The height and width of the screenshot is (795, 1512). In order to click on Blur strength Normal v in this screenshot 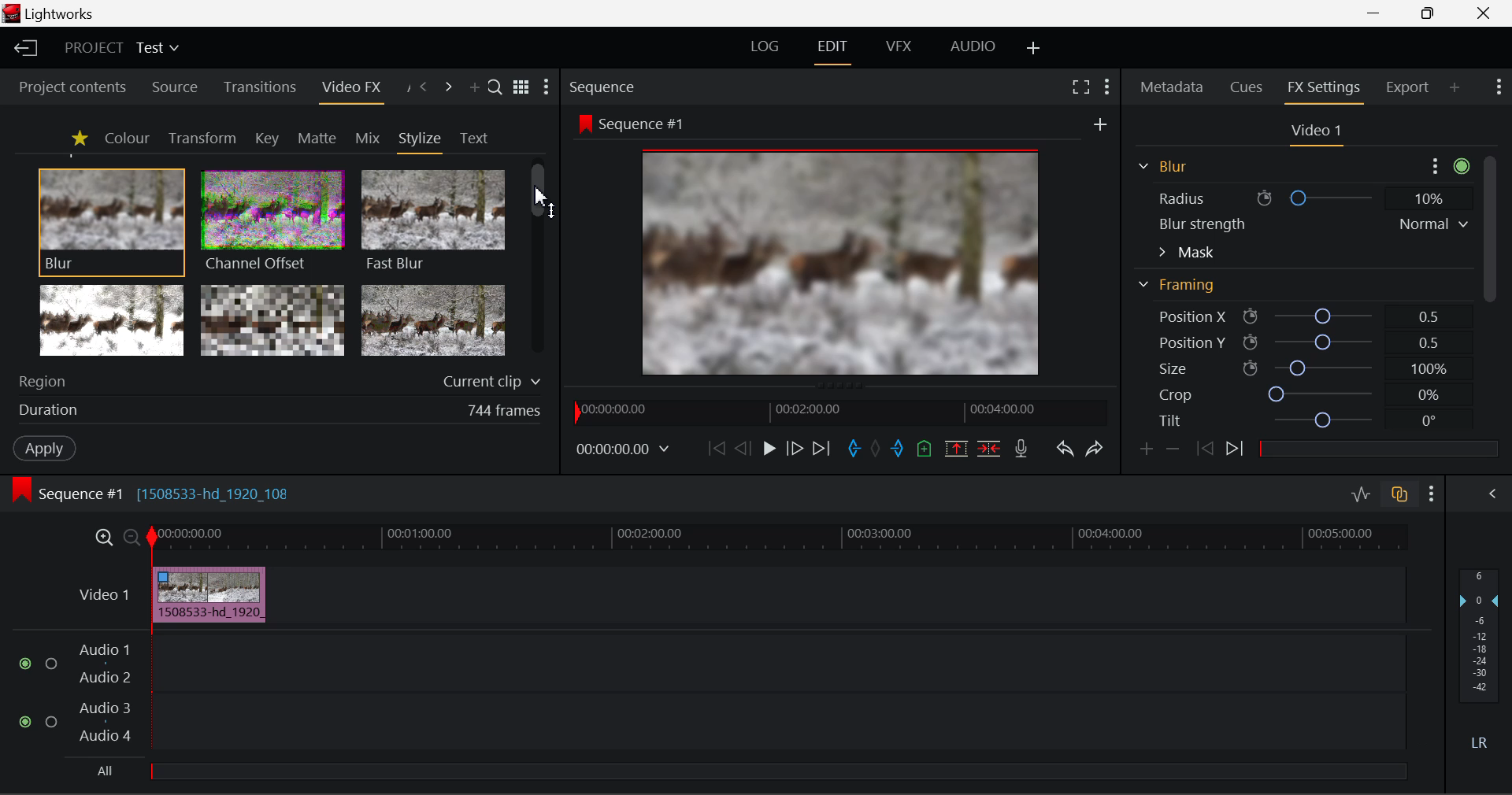, I will do `click(1311, 224)`.